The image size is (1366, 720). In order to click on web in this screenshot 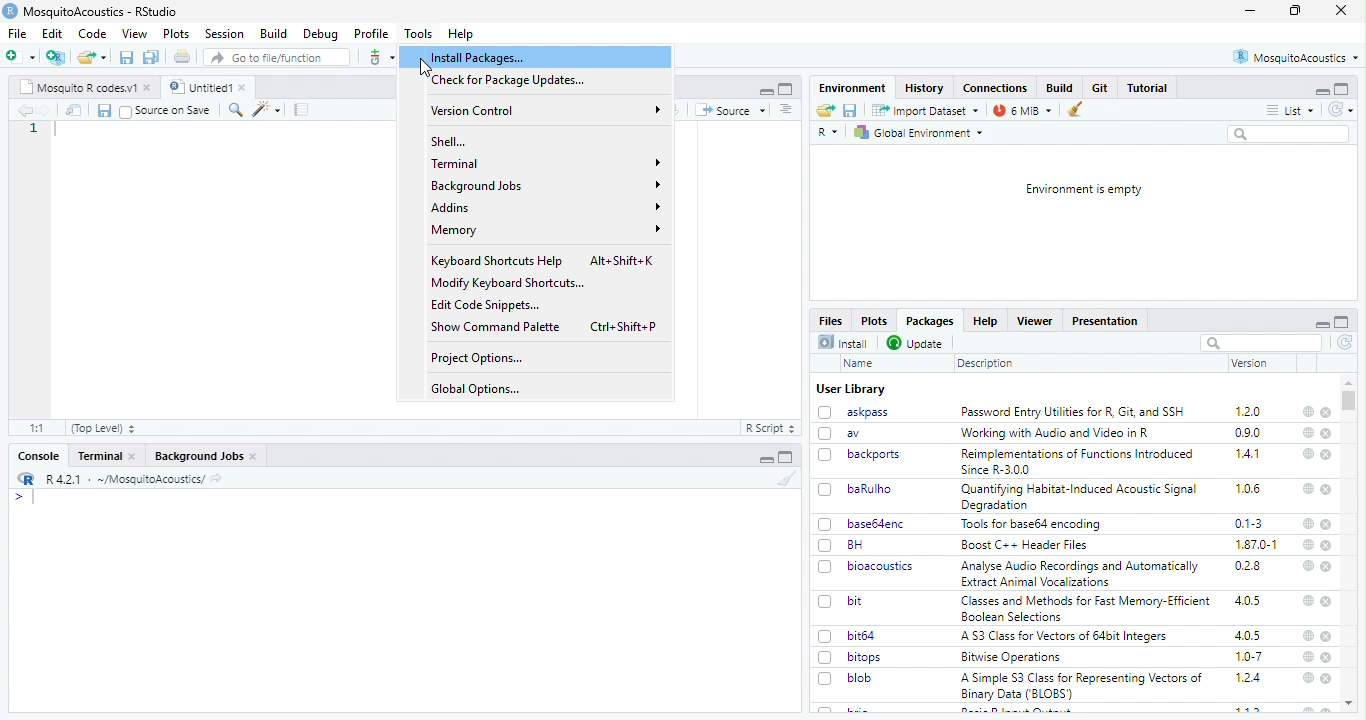, I will do `click(1309, 636)`.